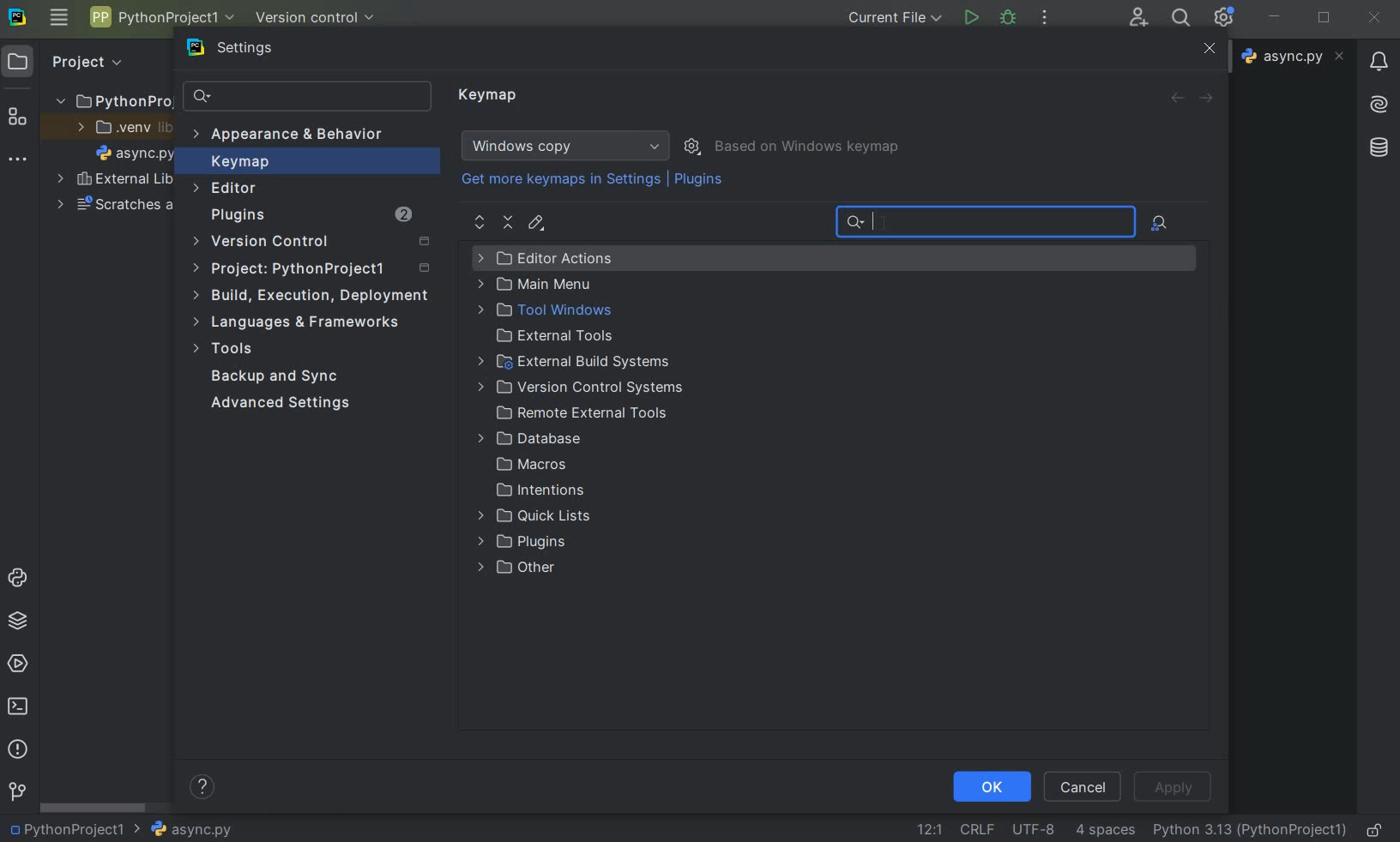 This screenshot has width=1400, height=842. Describe the element at coordinates (1295, 56) in the screenshot. I see `file name` at that location.